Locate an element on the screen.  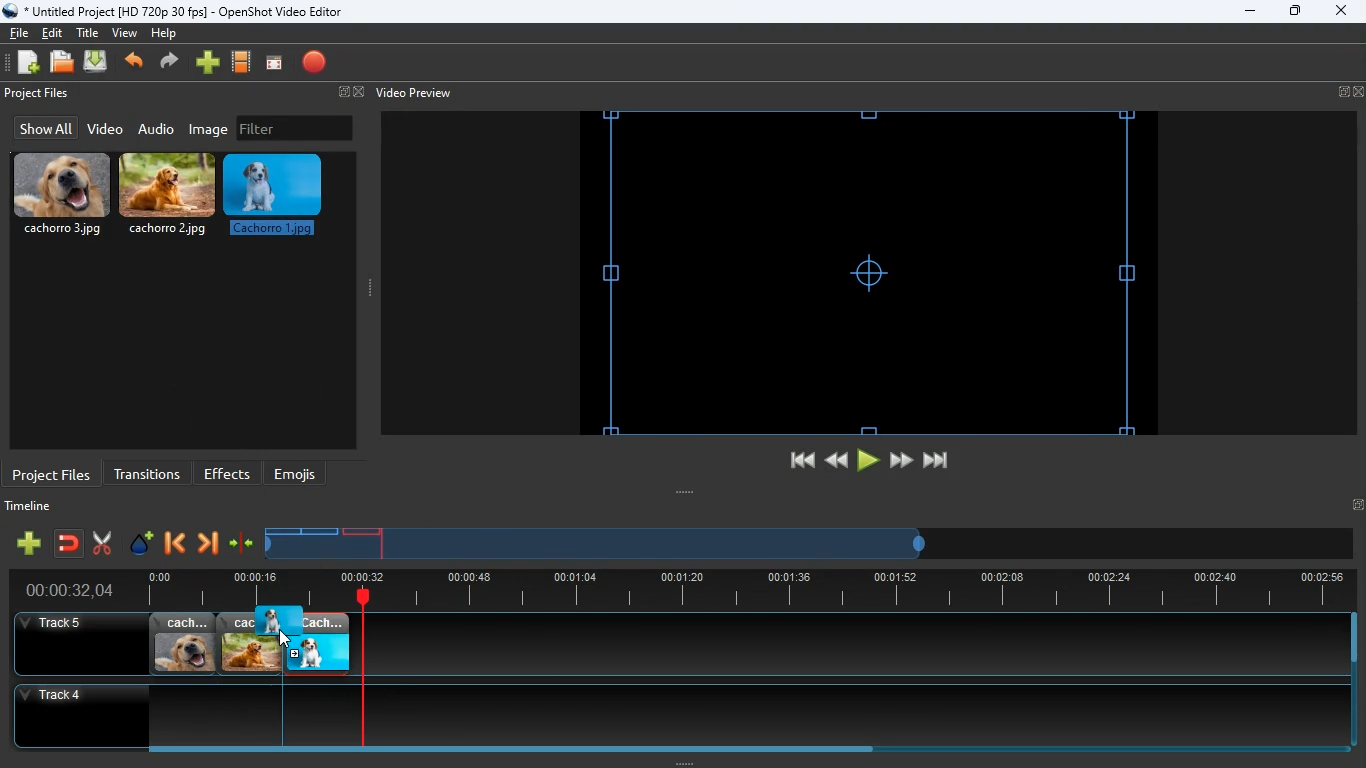
timeline is located at coordinates (33, 509).